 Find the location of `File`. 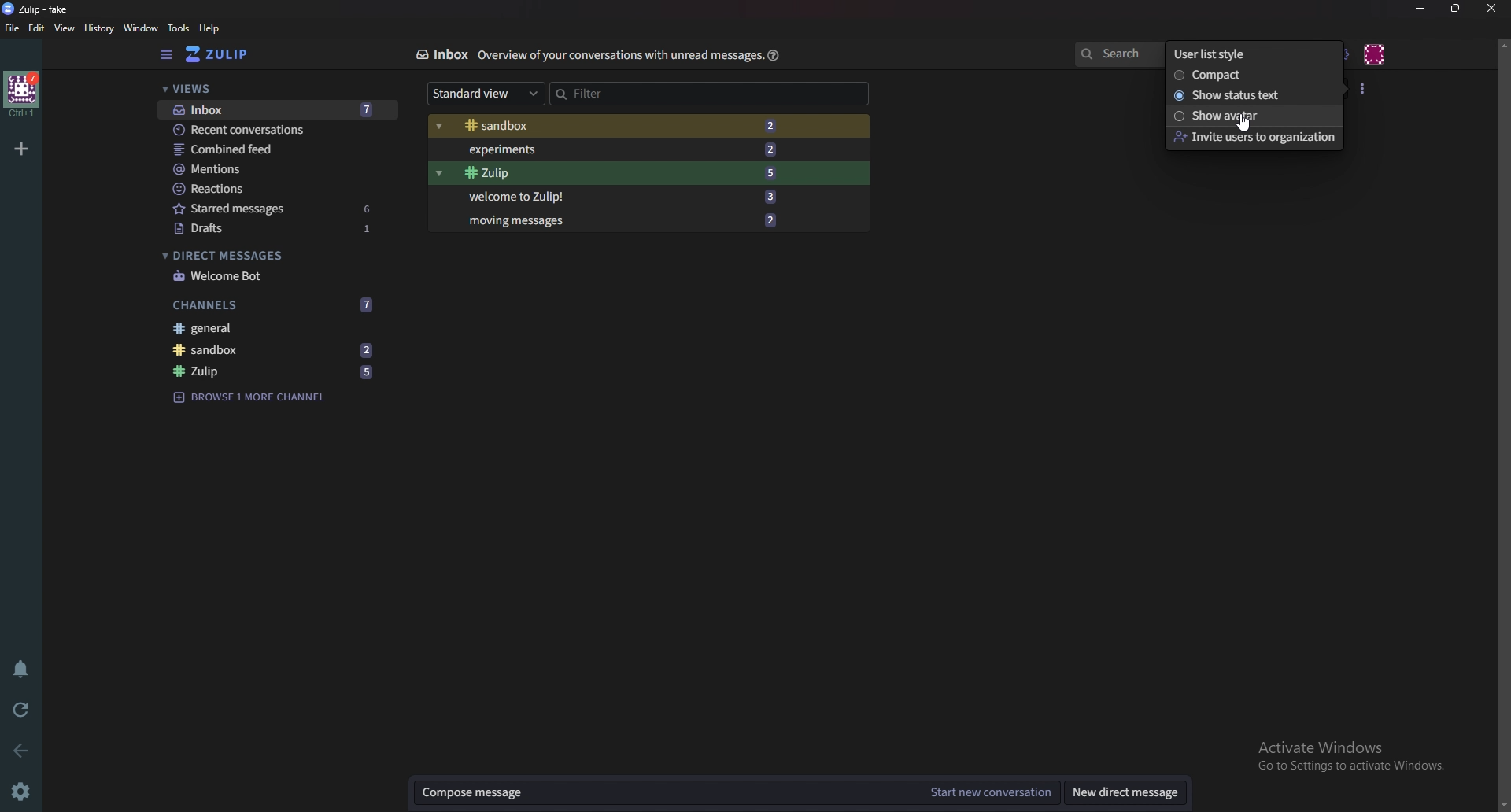

File is located at coordinates (13, 29).